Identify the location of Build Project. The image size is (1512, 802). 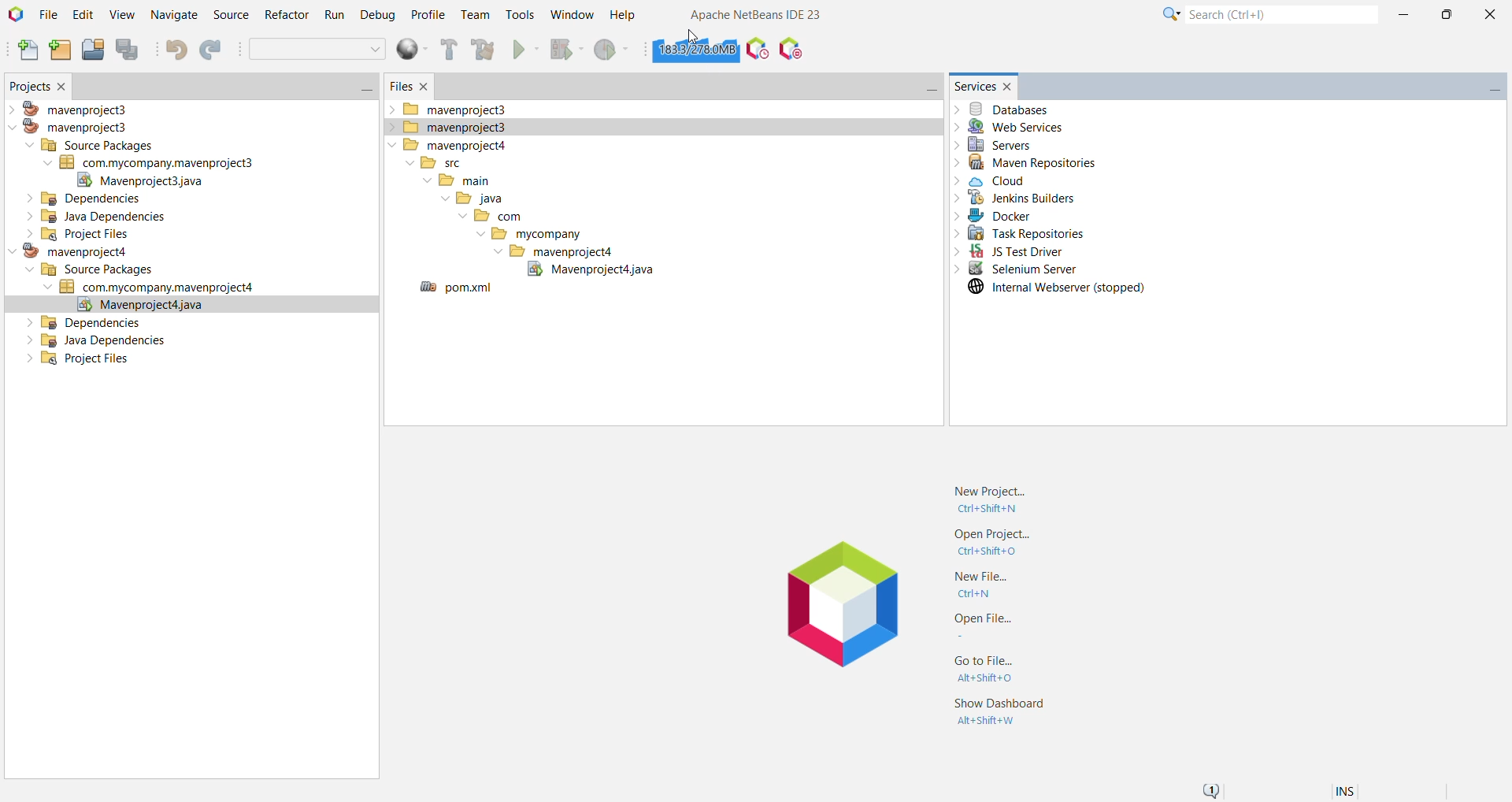
(449, 50).